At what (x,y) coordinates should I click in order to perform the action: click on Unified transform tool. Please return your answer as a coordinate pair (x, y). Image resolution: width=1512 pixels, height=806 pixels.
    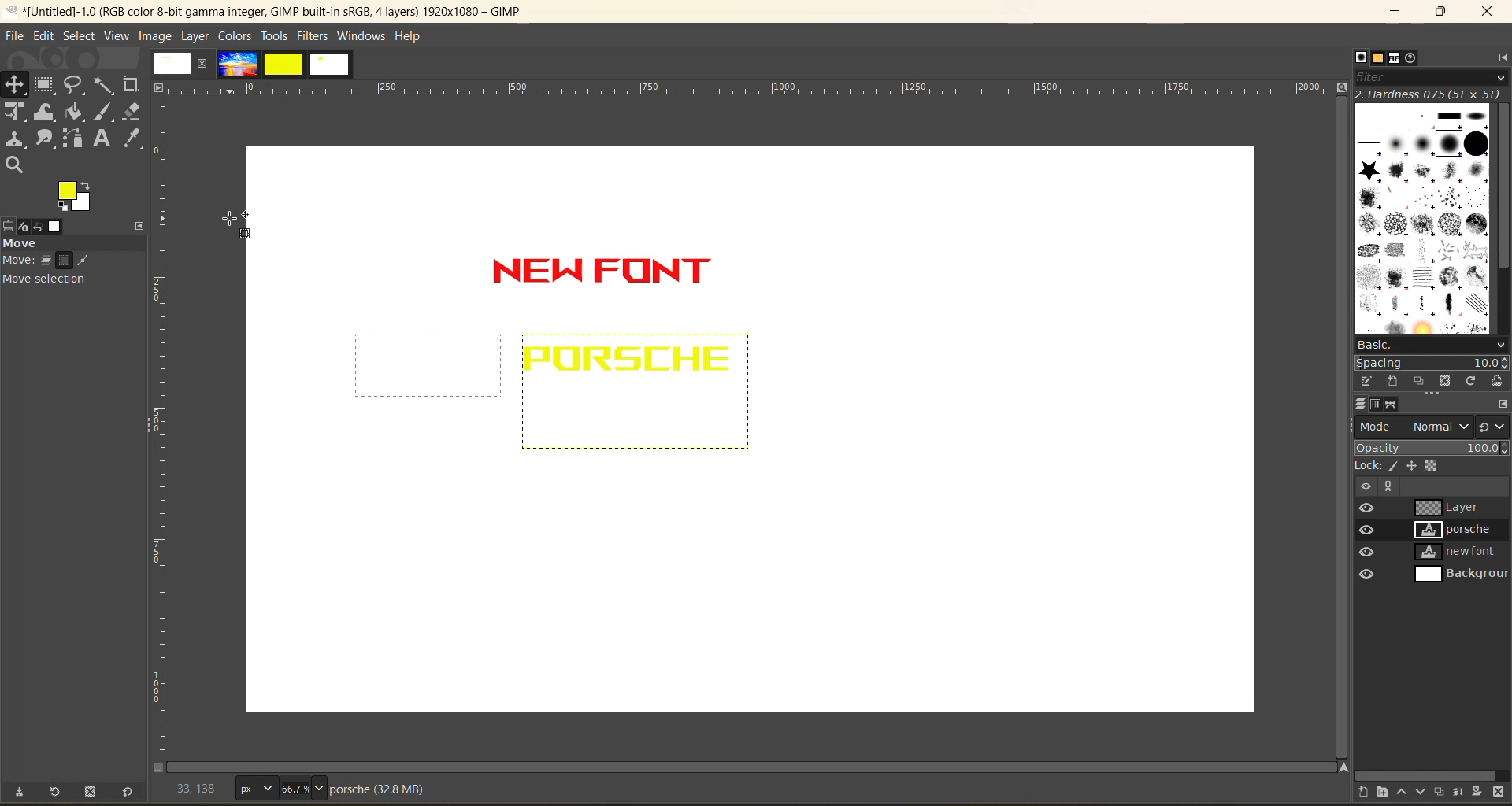
    Looking at the image, I should click on (14, 113).